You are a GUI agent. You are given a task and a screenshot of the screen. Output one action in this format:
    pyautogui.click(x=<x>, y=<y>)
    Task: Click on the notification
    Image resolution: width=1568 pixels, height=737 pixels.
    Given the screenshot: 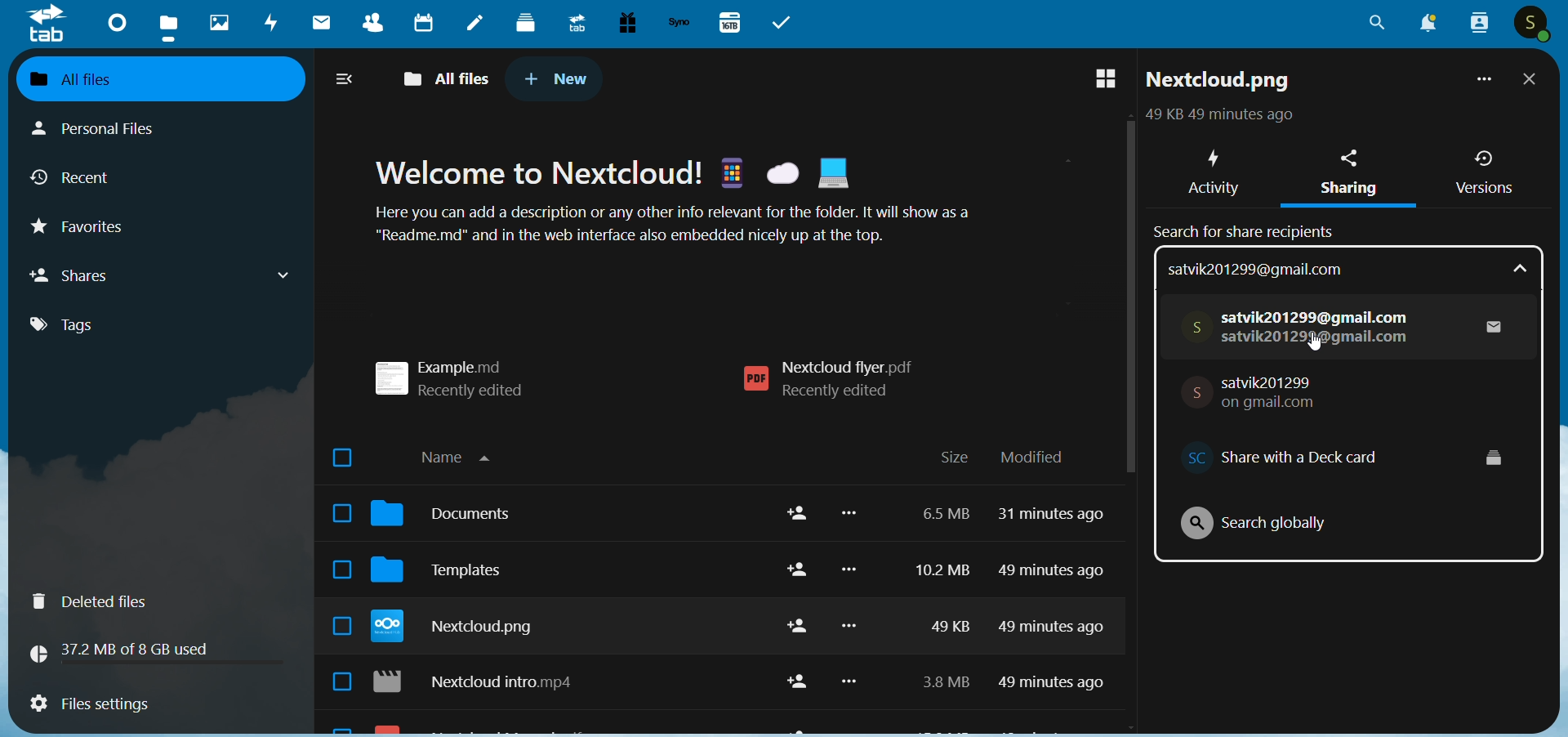 What is the action you would take?
    pyautogui.click(x=1424, y=25)
    